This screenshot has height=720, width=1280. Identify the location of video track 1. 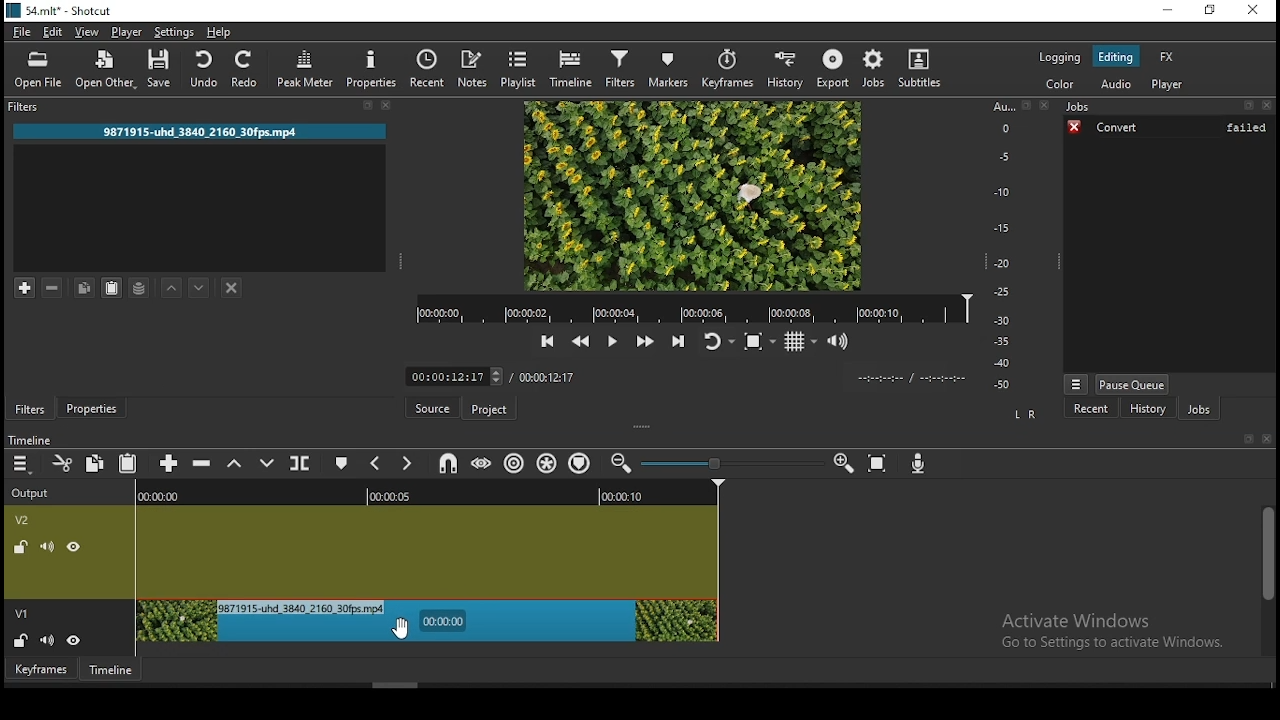
(428, 621).